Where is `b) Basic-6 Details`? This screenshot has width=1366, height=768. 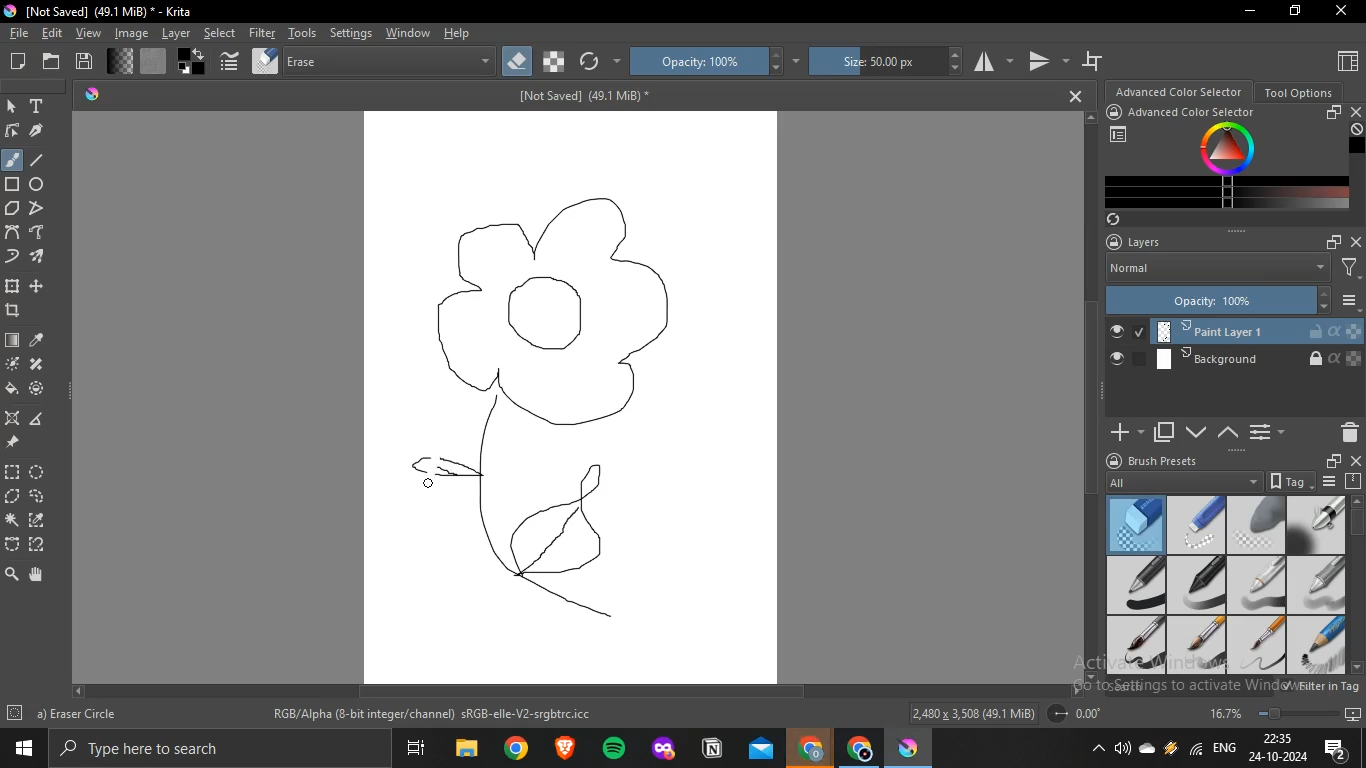
b) Basic-6 Details is located at coordinates (84, 713).